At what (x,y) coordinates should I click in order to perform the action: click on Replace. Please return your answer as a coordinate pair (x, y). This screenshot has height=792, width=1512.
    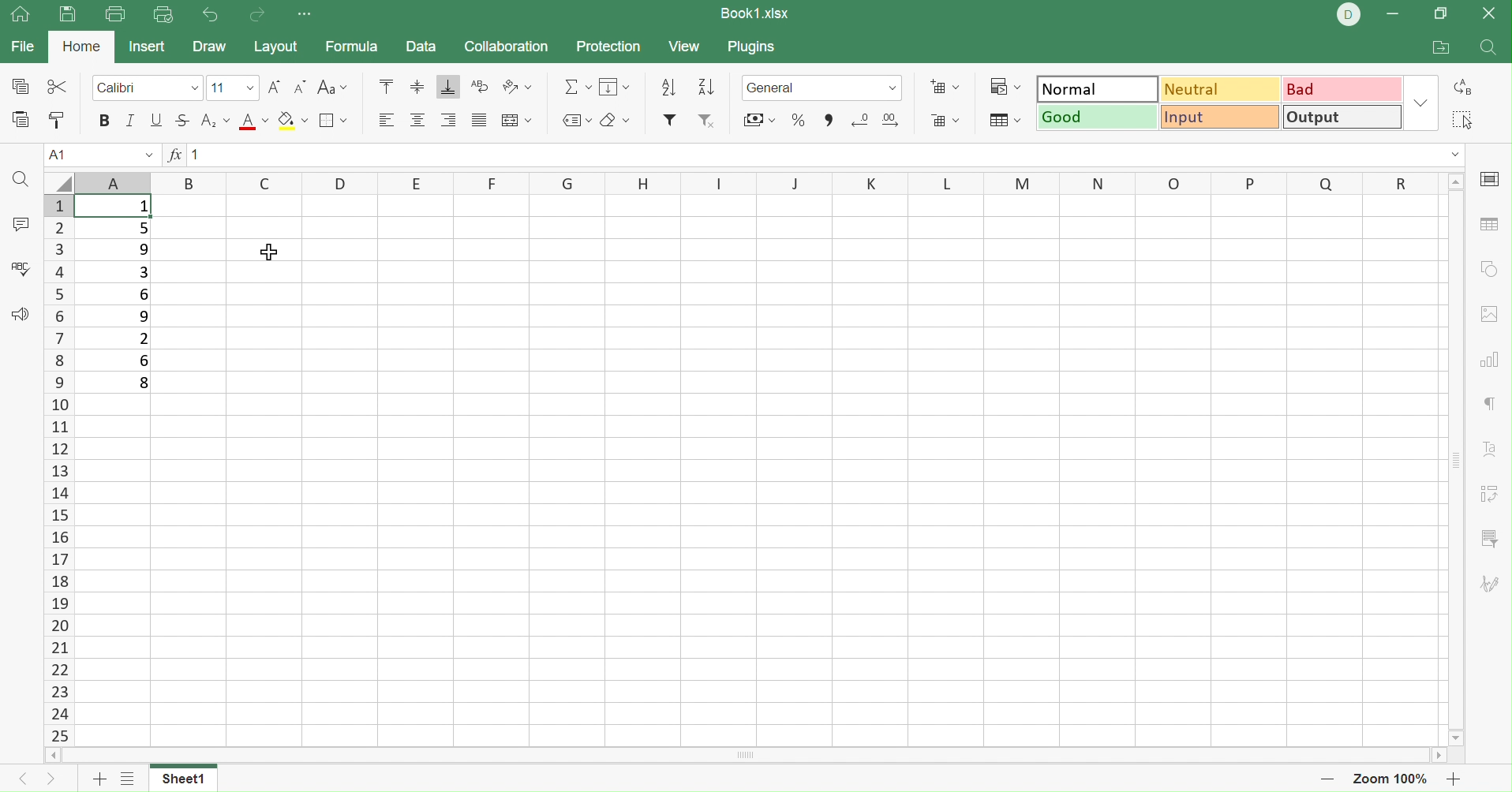
    Looking at the image, I should click on (1467, 85).